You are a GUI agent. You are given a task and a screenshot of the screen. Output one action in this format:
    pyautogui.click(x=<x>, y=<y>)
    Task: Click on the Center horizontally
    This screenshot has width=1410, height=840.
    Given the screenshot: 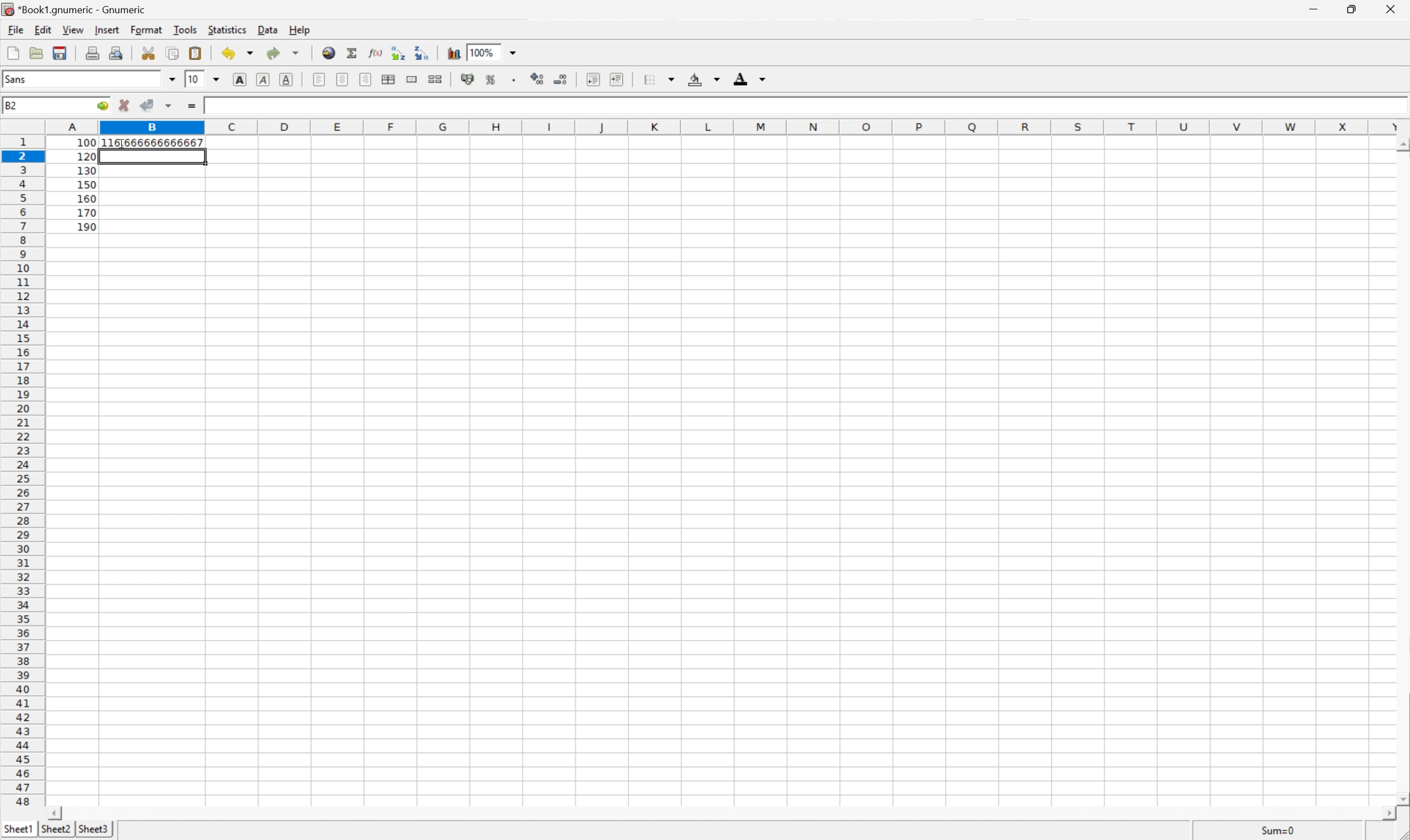 What is the action you would take?
    pyautogui.click(x=342, y=79)
    